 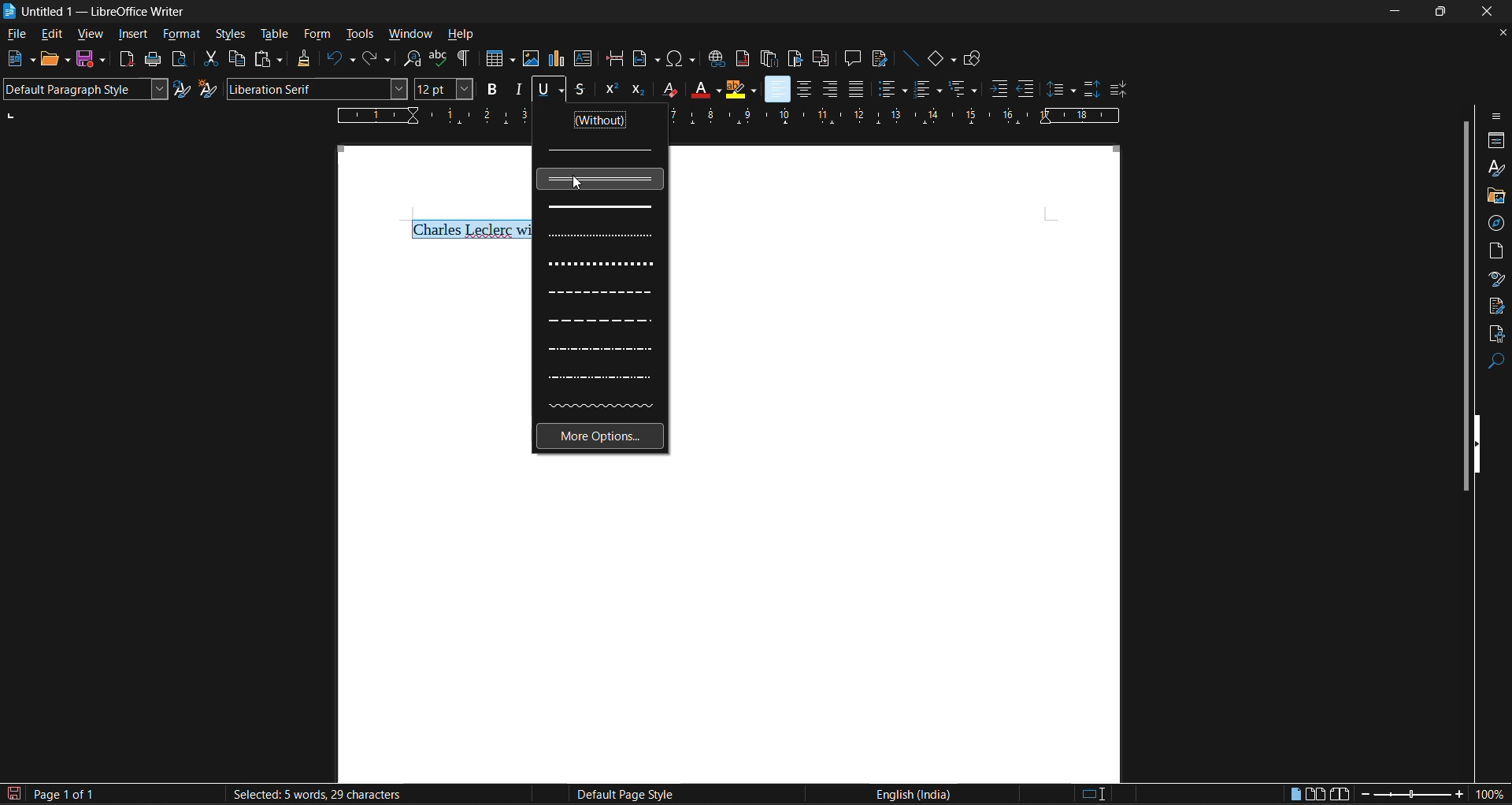 I want to click on print, so click(x=151, y=58).